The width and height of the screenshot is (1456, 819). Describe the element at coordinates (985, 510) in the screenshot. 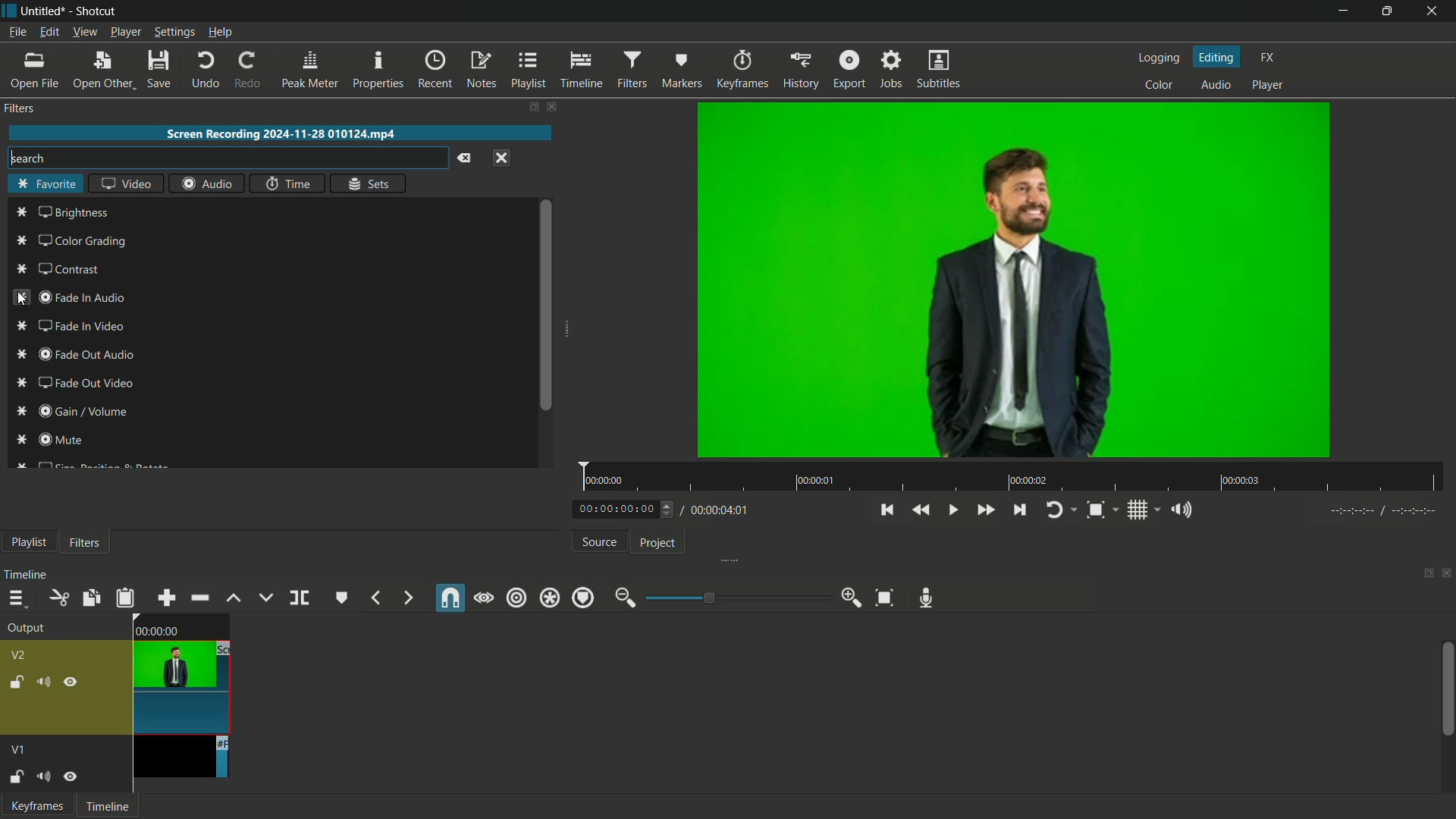

I see `quickly play forward` at that location.